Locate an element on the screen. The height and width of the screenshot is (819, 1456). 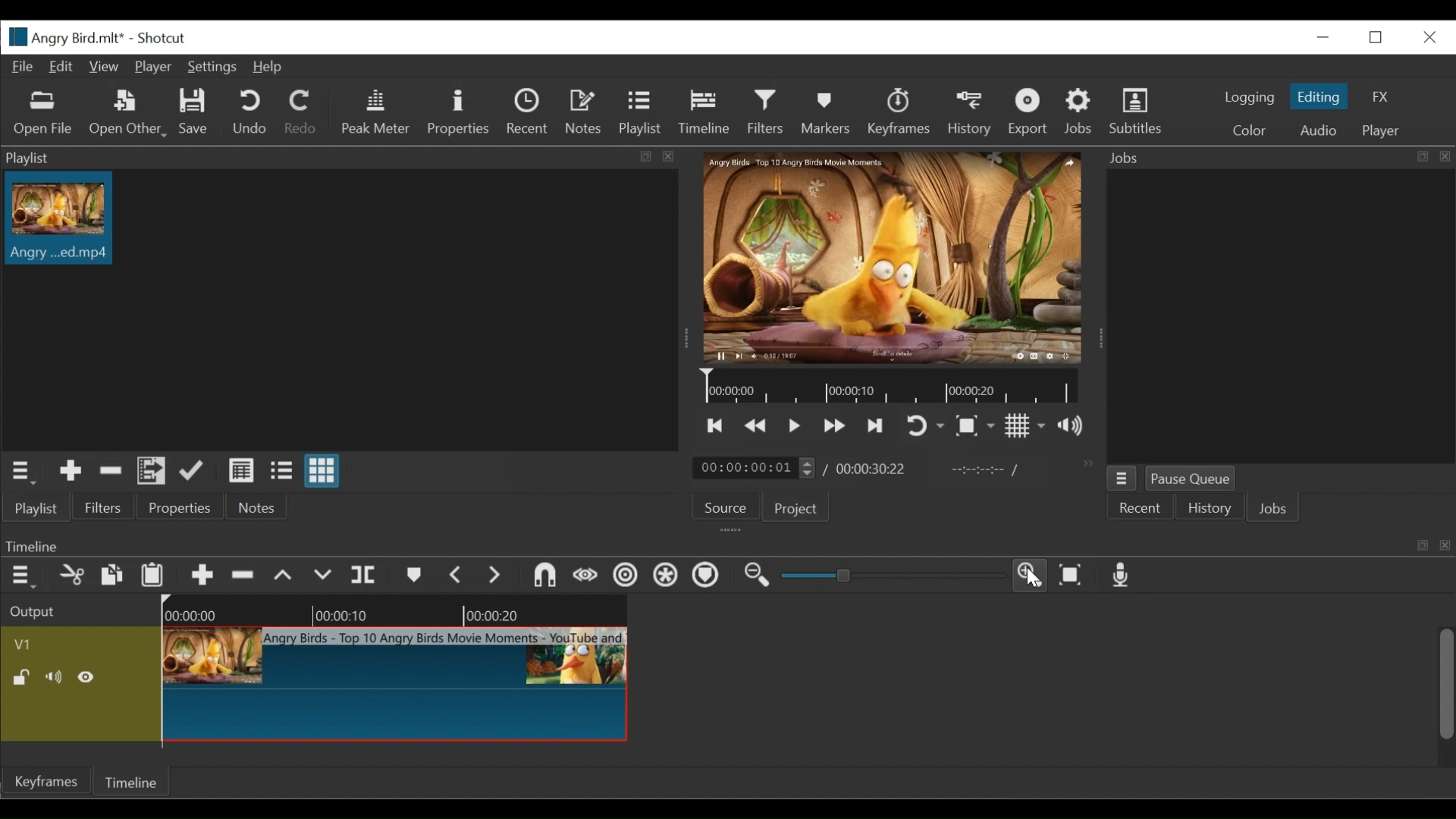
Copy is located at coordinates (111, 574).